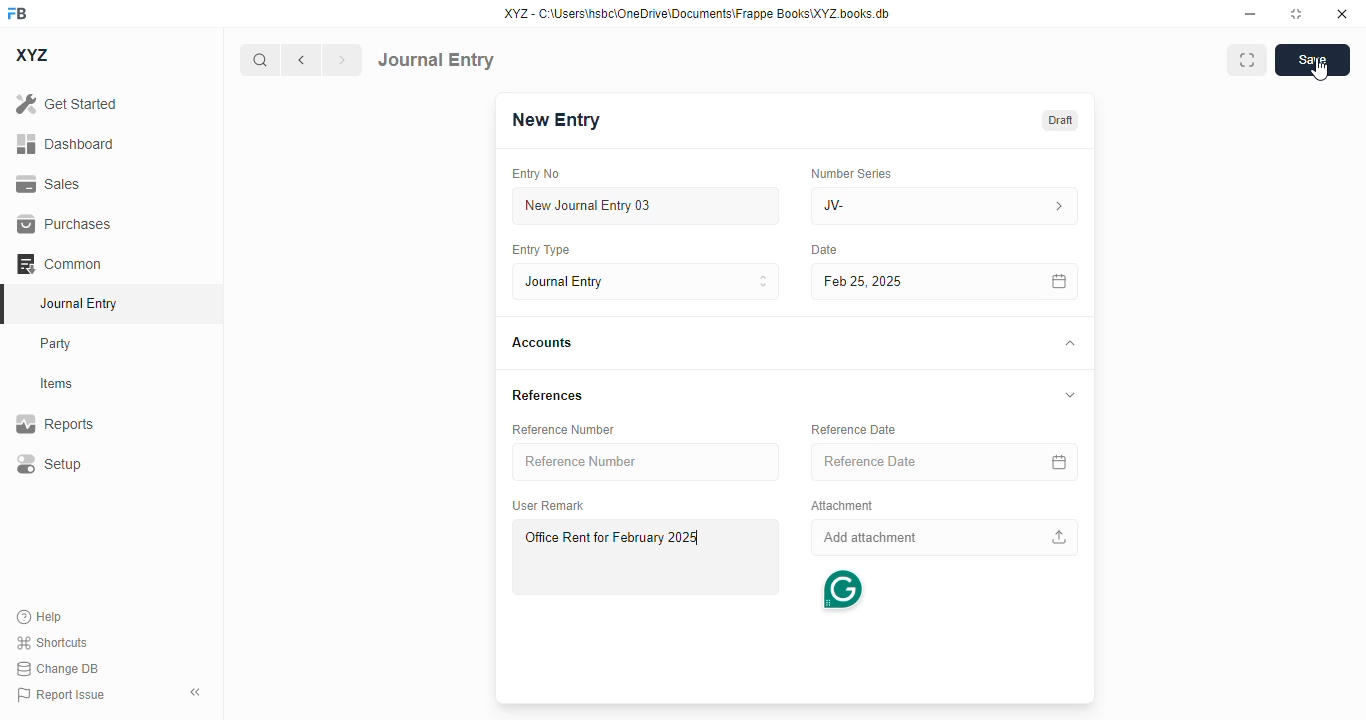 Image resolution: width=1366 pixels, height=720 pixels. I want to click on toggle maximize, so click(1295, 14).